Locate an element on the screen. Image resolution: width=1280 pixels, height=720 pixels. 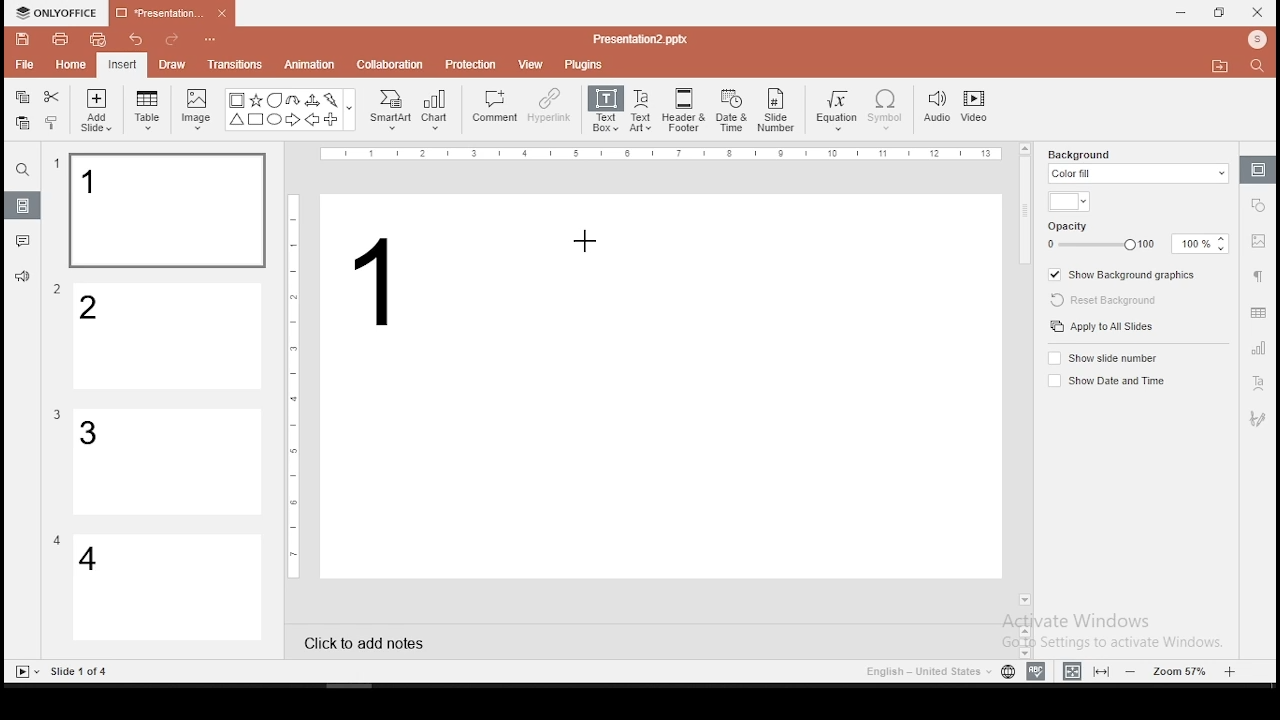
Trianlge is located at coordinates (236, 120).